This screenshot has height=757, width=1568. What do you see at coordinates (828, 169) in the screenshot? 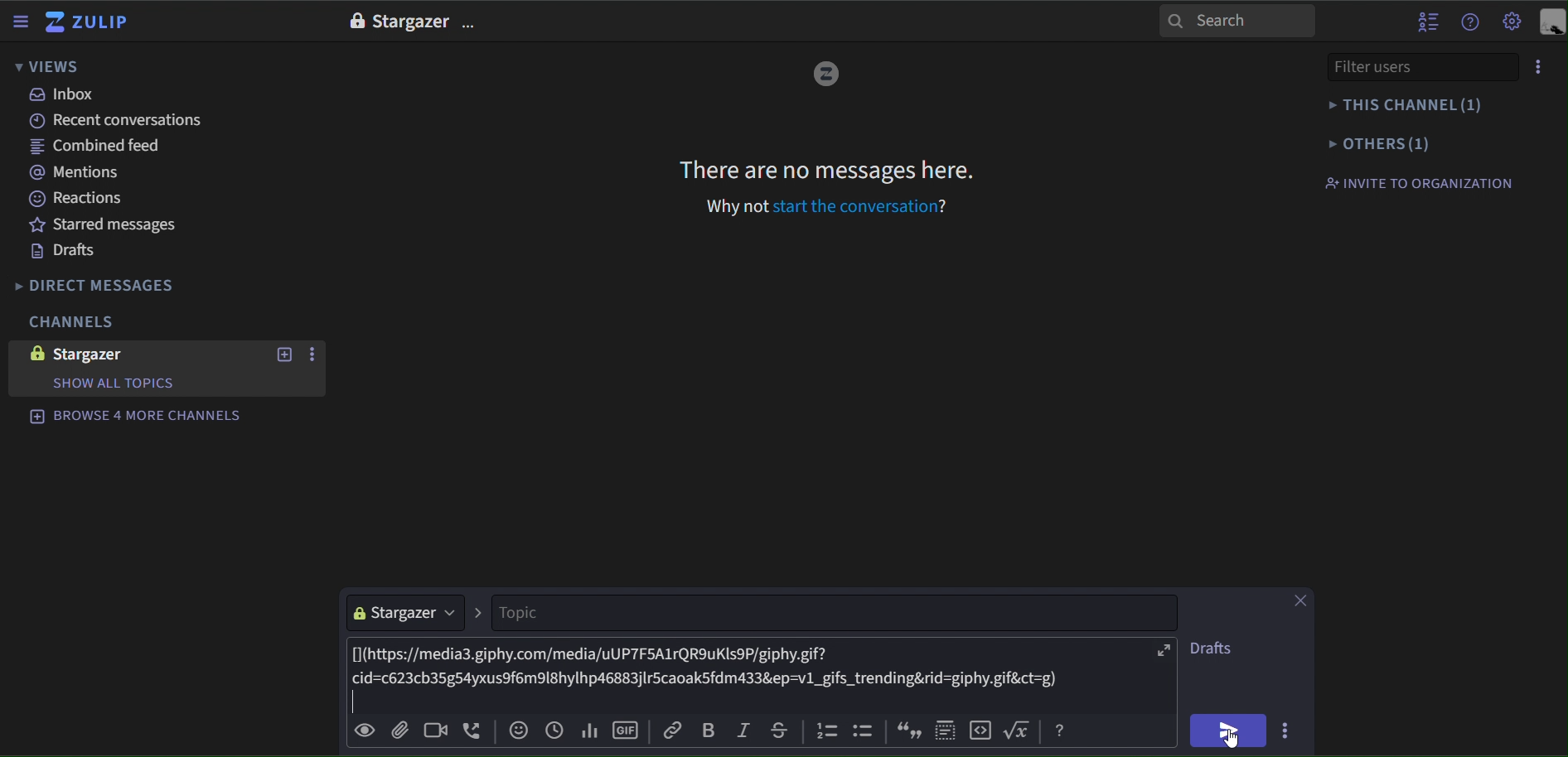
I see `there are no message here.` at bounding box center [828, 169].